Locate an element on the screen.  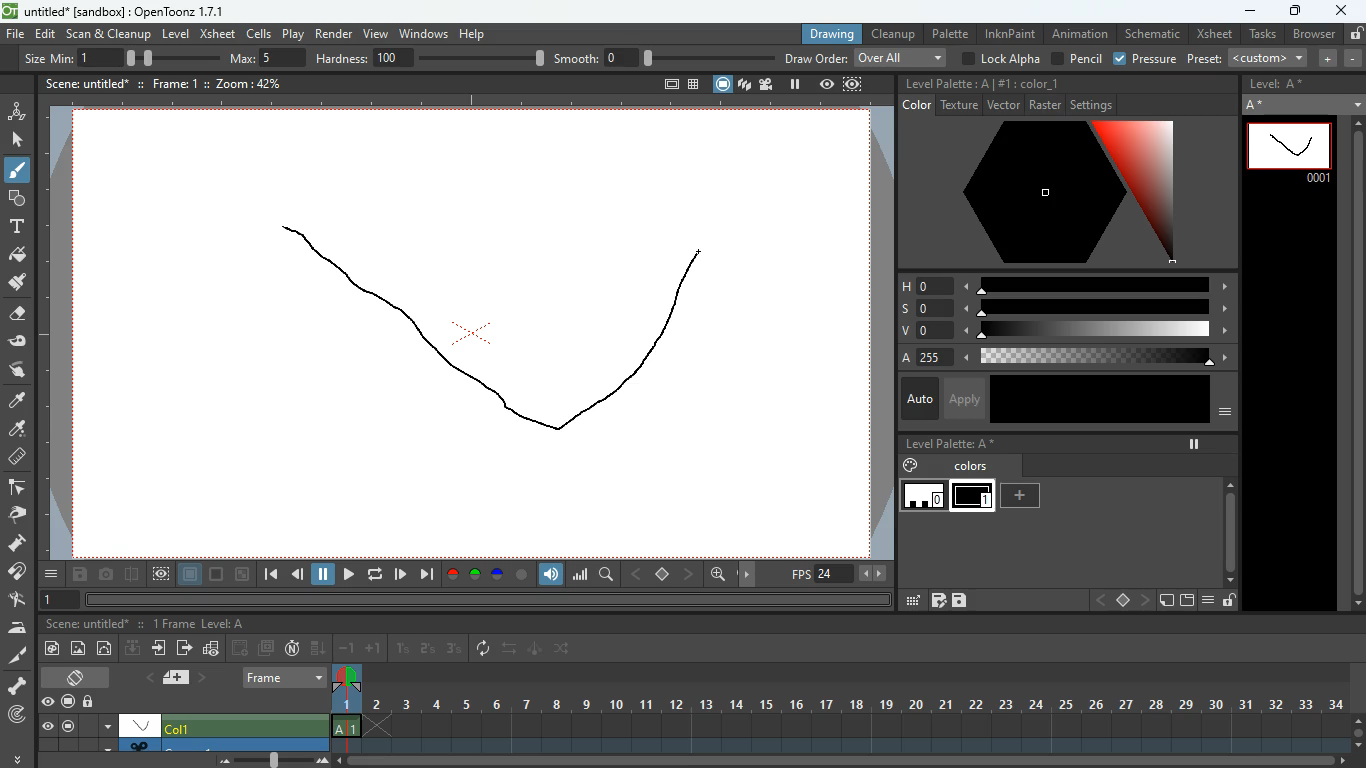
play is located at coordinates (295, 33).